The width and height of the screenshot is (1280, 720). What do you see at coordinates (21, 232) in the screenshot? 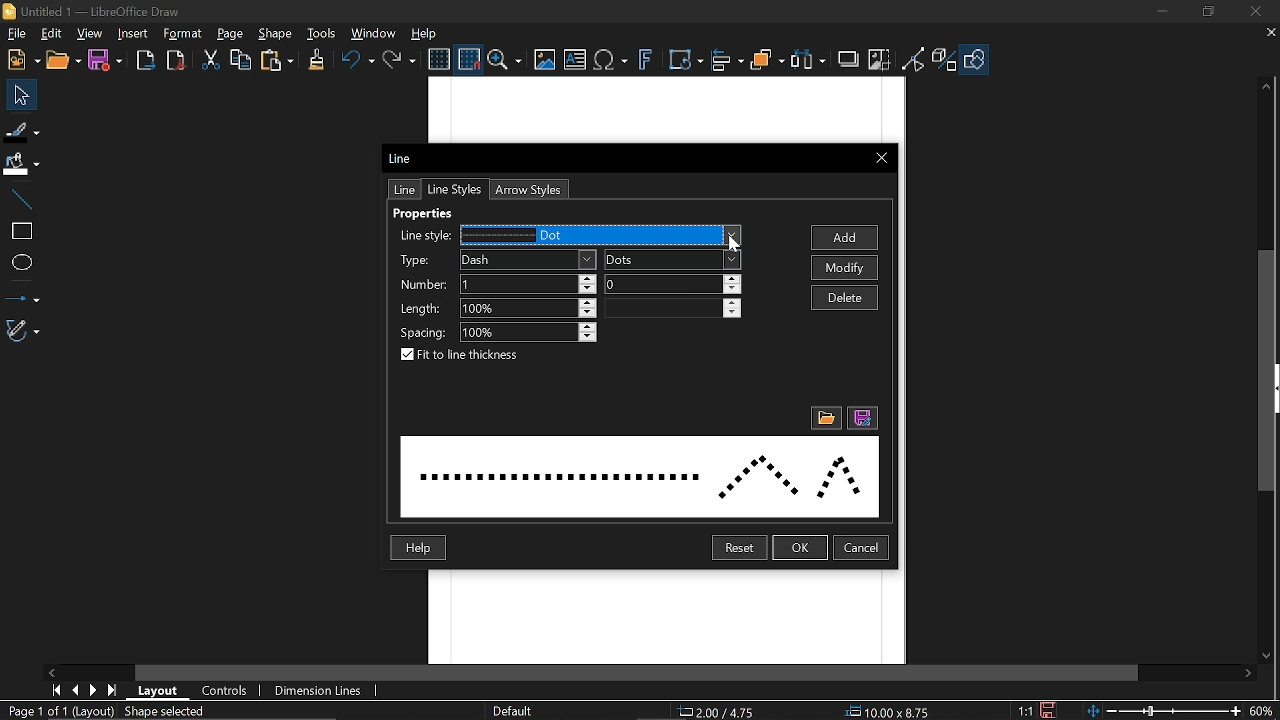
I see `rectangle` at bounding box center [21, 232].